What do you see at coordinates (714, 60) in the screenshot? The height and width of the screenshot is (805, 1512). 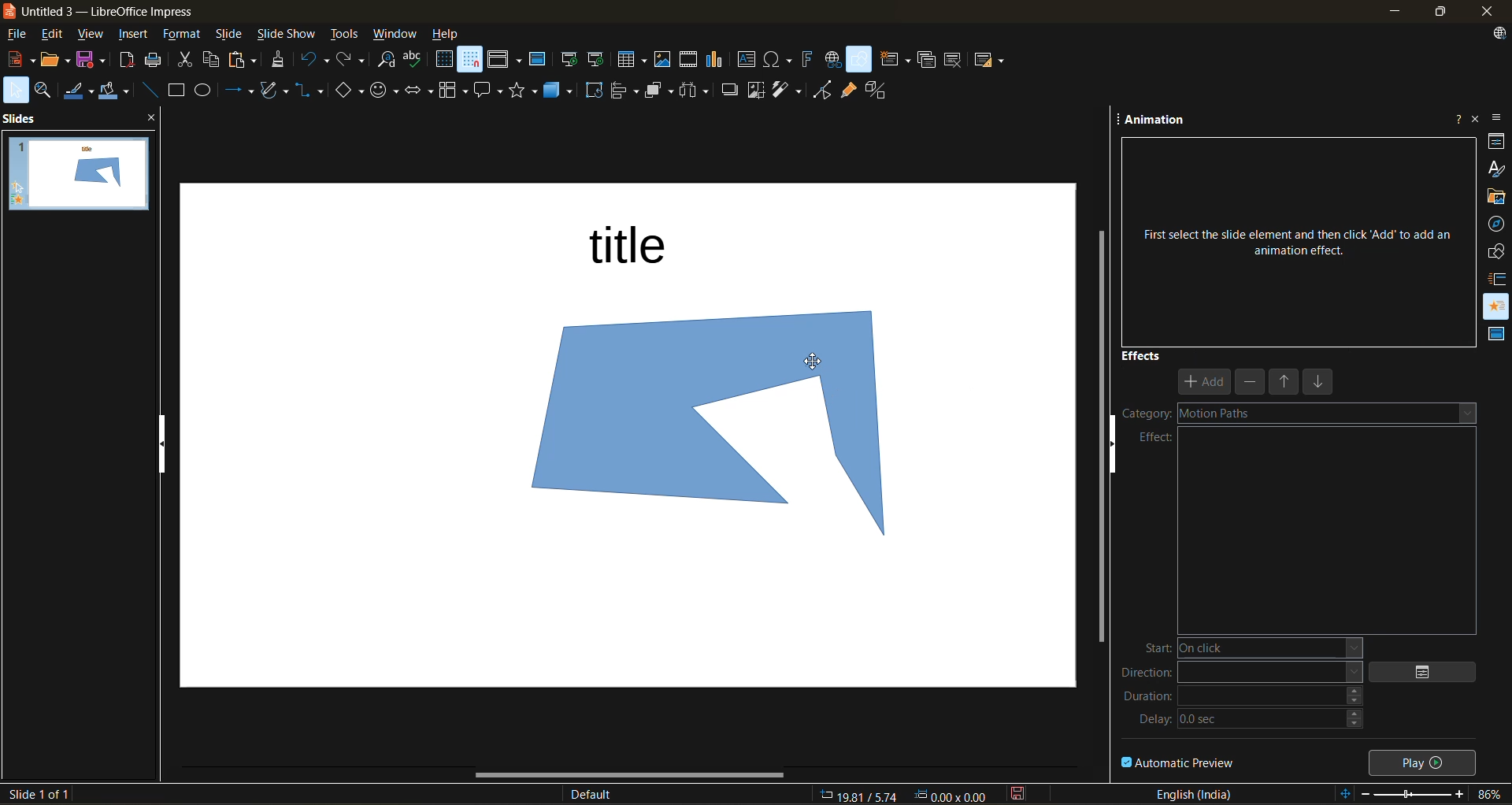 I see `insert chart` at bounding box center [714, 60].